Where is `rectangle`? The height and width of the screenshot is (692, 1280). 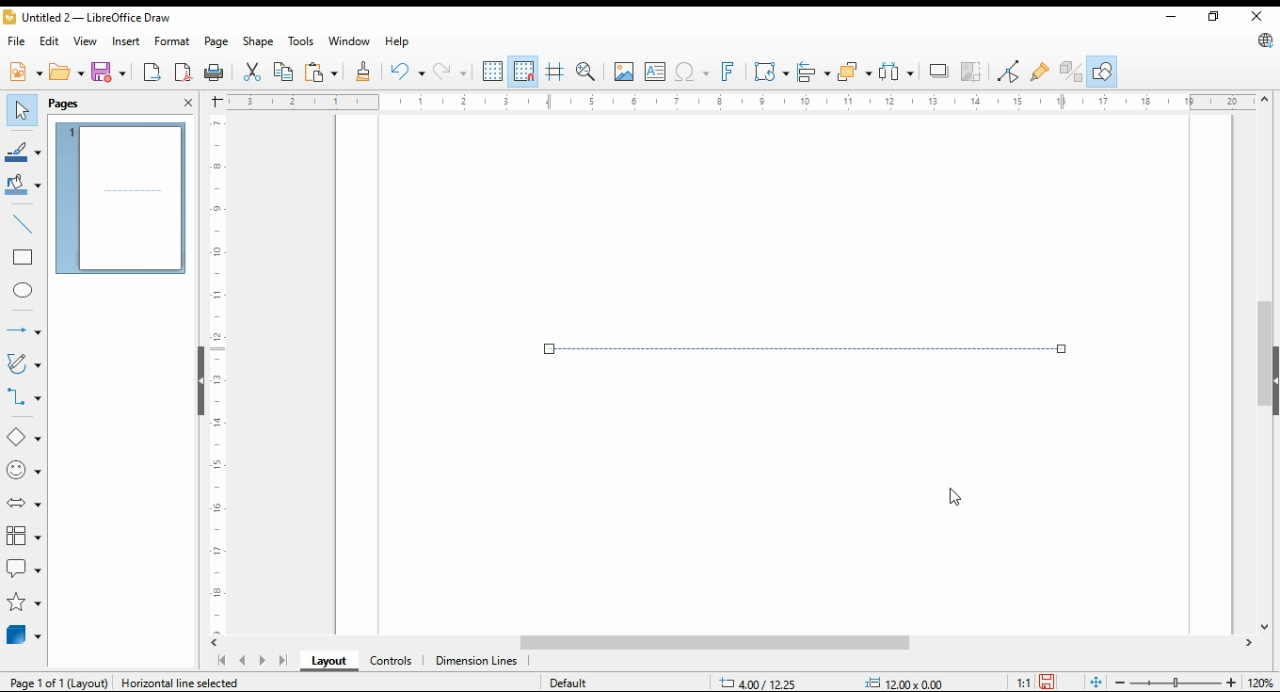 rectangle is located at coordinates (22, 256).